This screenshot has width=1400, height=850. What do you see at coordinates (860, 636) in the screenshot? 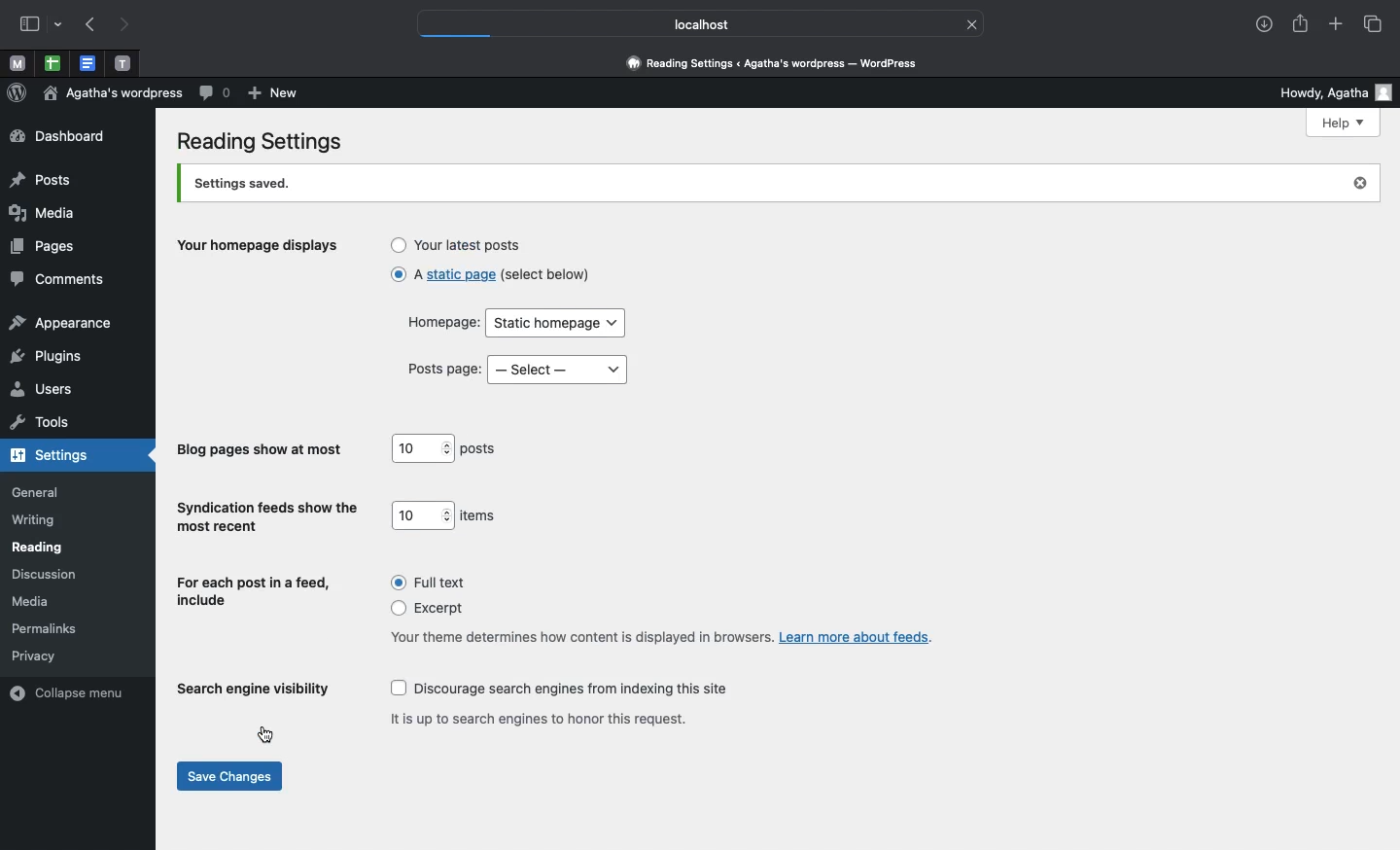
I see `learn more about feeds` at bounding box center [860, 636].